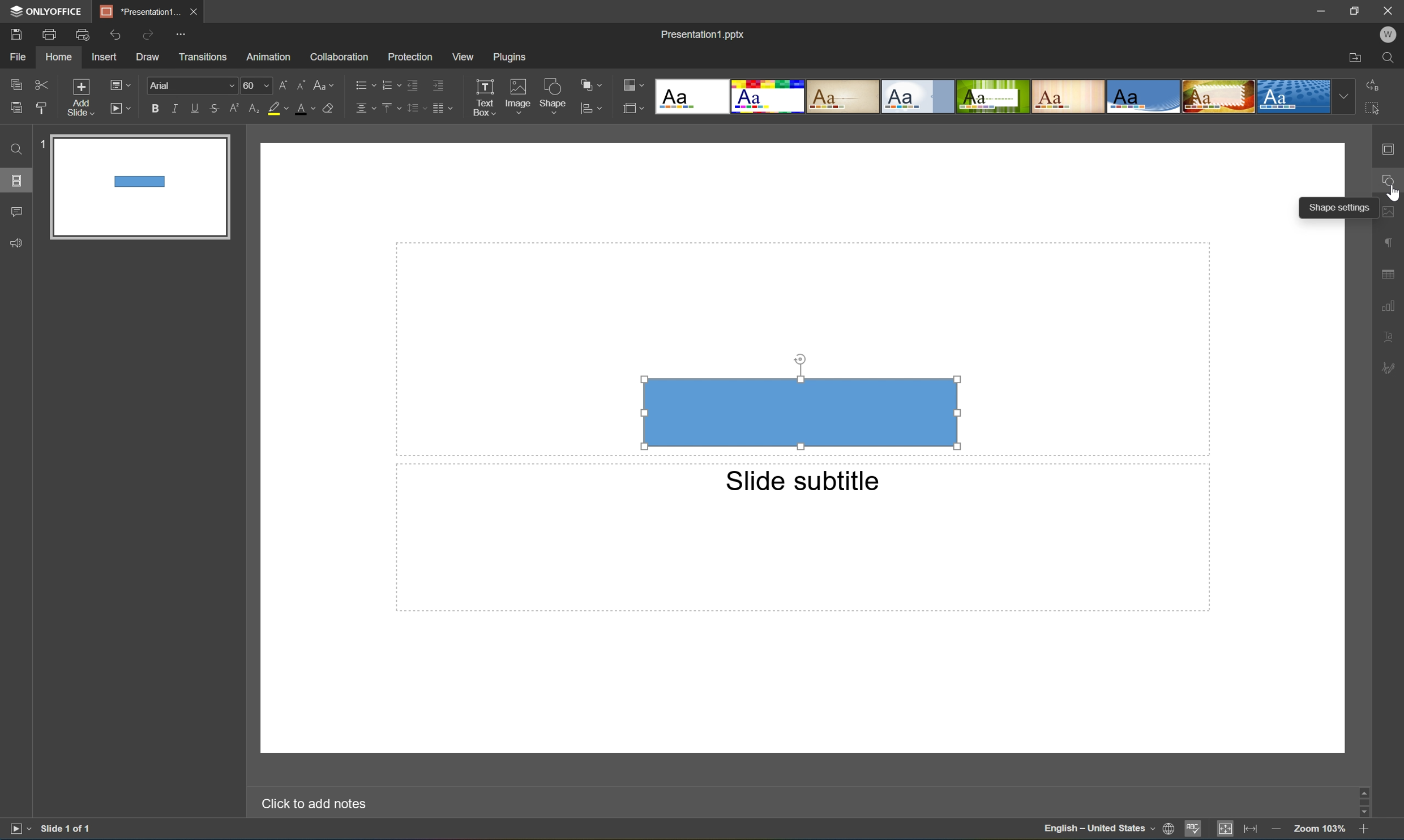  I want to click on chart settings, so click(1390, 307).